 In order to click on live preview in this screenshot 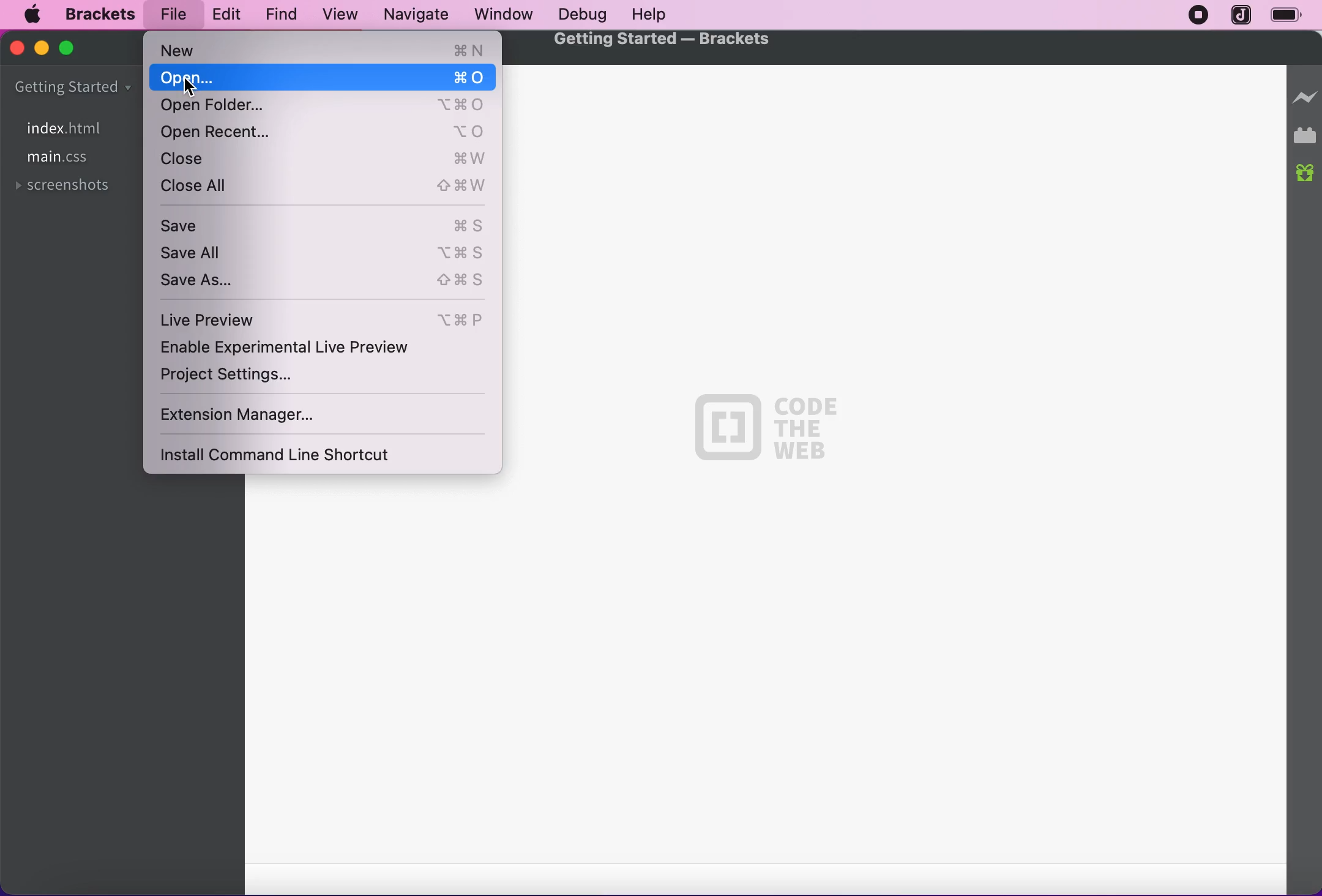, I will do `click(1305, 92)`.